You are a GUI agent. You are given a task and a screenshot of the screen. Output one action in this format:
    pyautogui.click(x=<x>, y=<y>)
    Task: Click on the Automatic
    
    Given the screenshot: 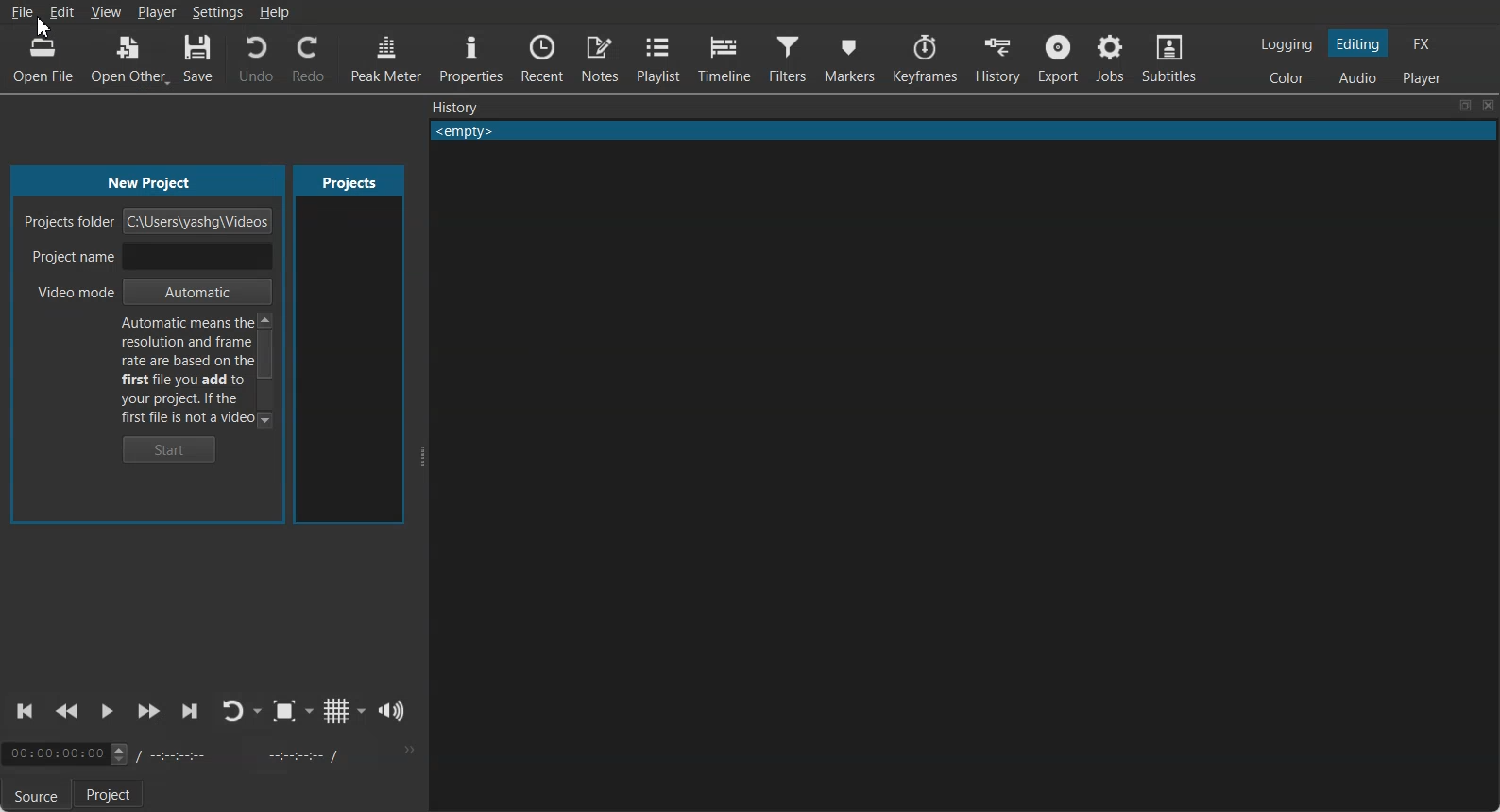 What is the action you would take?
    pyautogui.click(x=196, y=292)
    